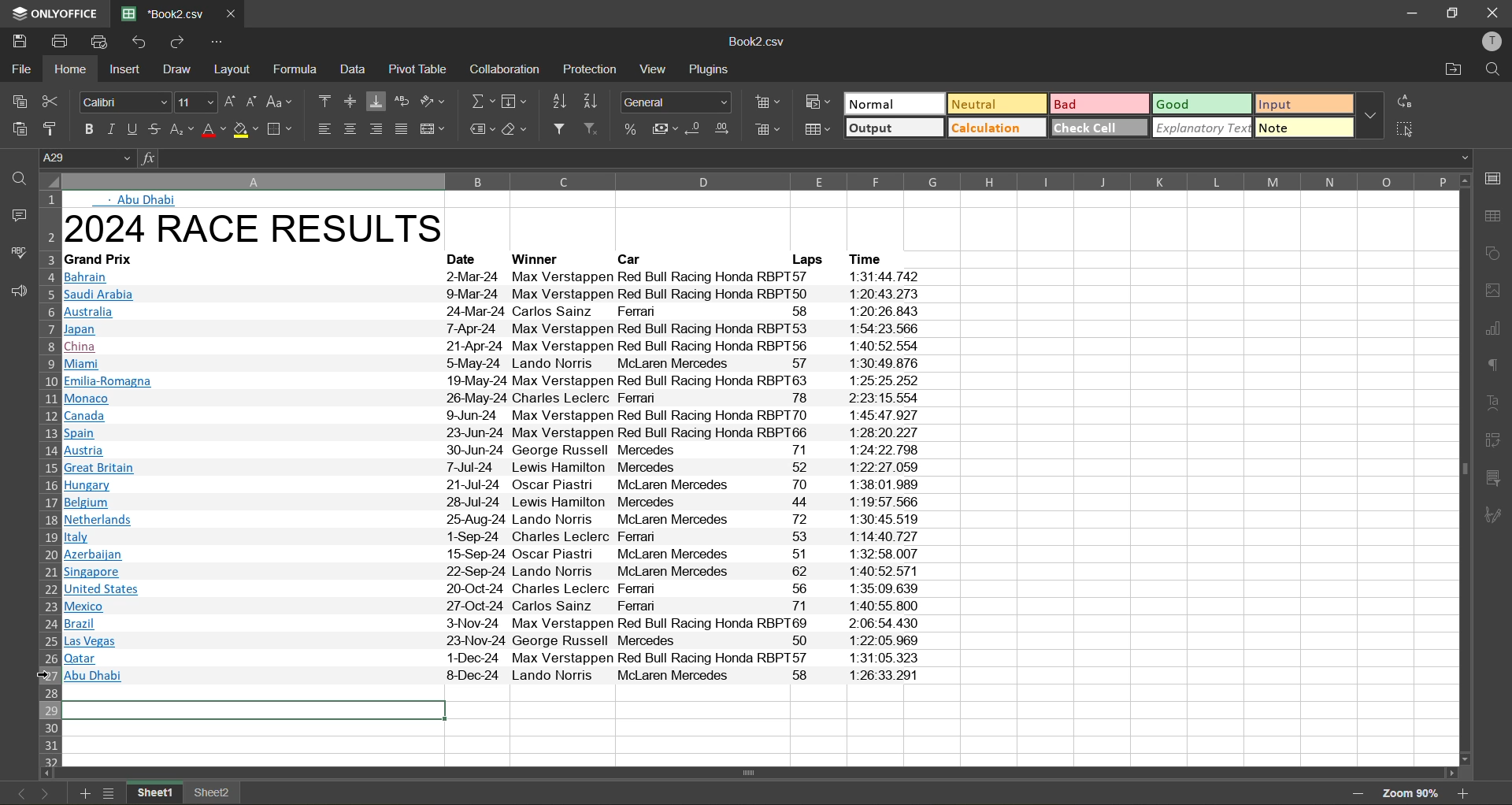 The image size is (1512, 805). What do you see at coordinates (45, 677) in the screenshot?
I see `cursor` at bounding box center [45, 677].